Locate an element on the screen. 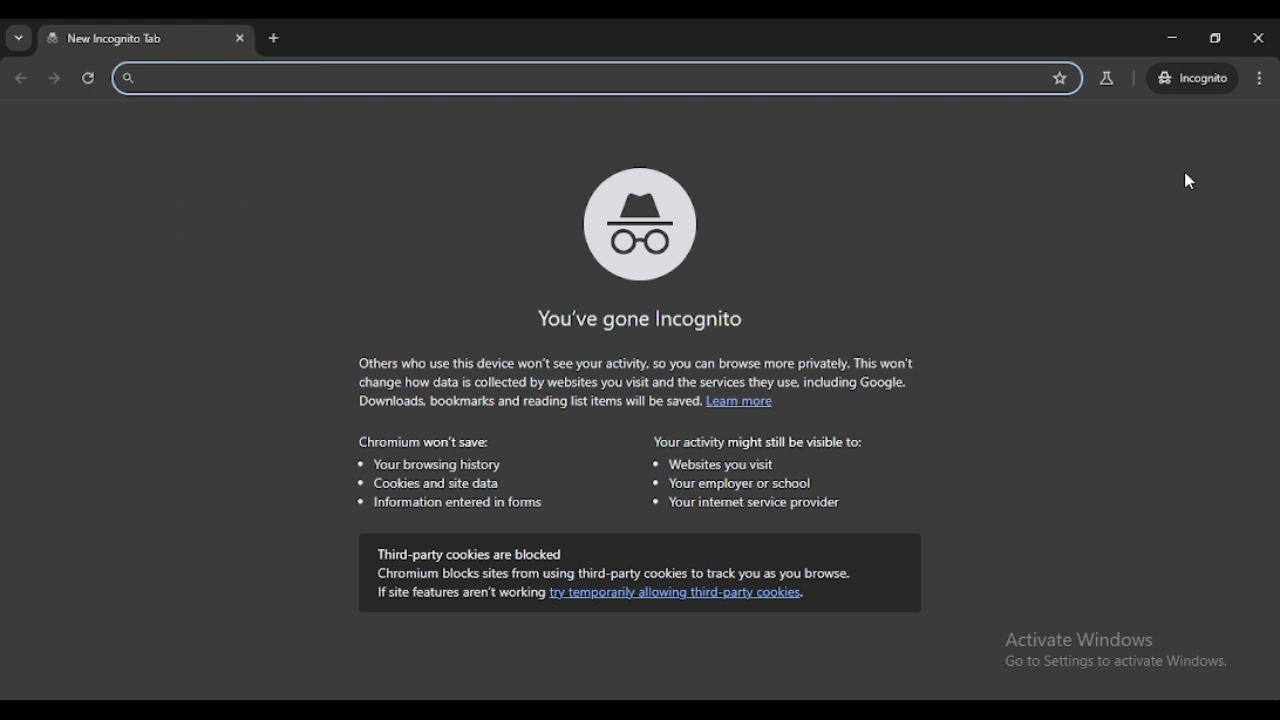 Image resolution: width=1280 pixels, height=720 pixels. maximize is located at coordinates (1214, 38).